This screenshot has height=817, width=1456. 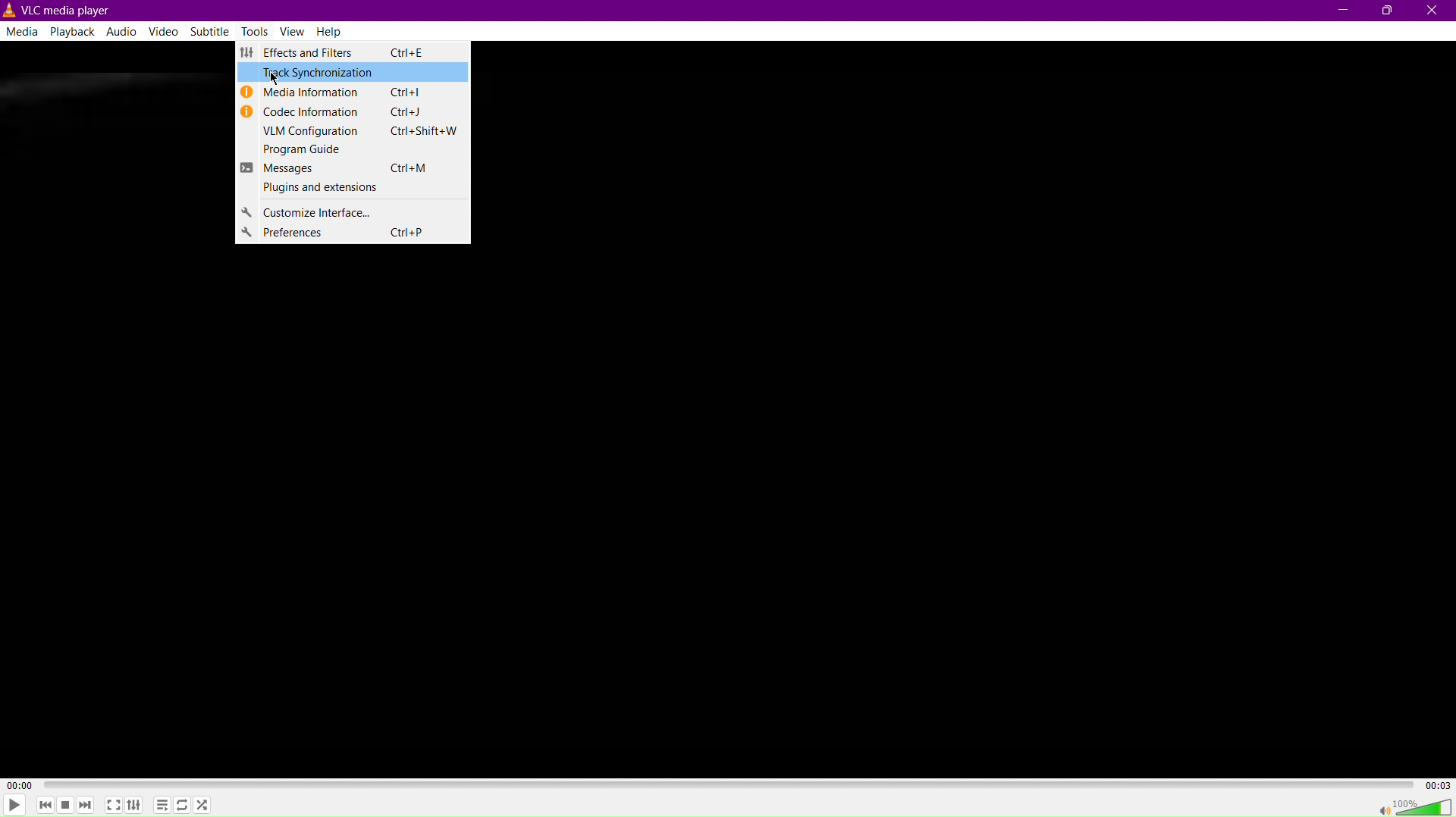 What do you see at coordinates (1426, 805) in the screenshot?
I see `Volume` at bounding box center [1426, 805].